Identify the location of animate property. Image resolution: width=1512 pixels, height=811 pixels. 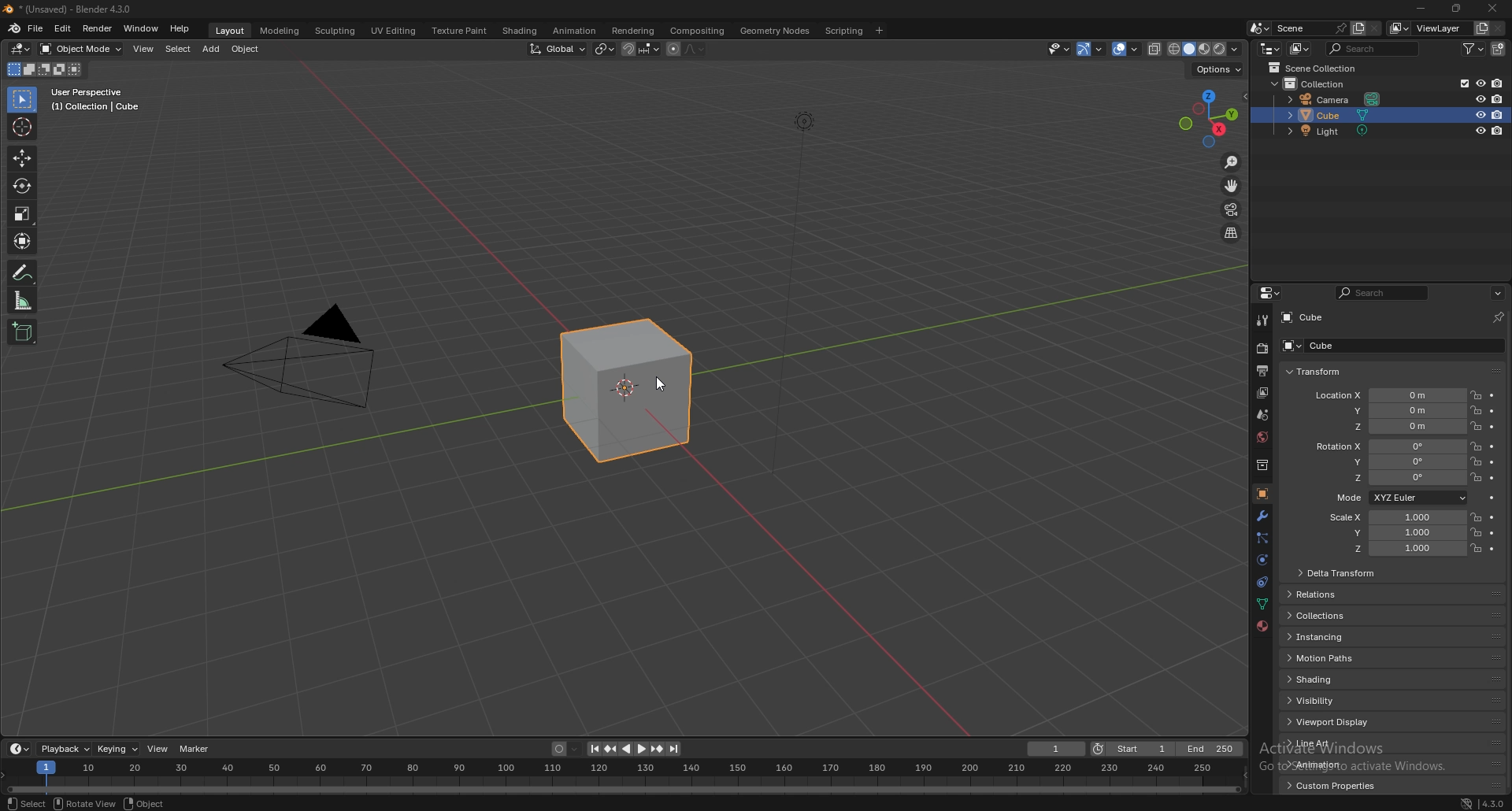
(1493, 479).